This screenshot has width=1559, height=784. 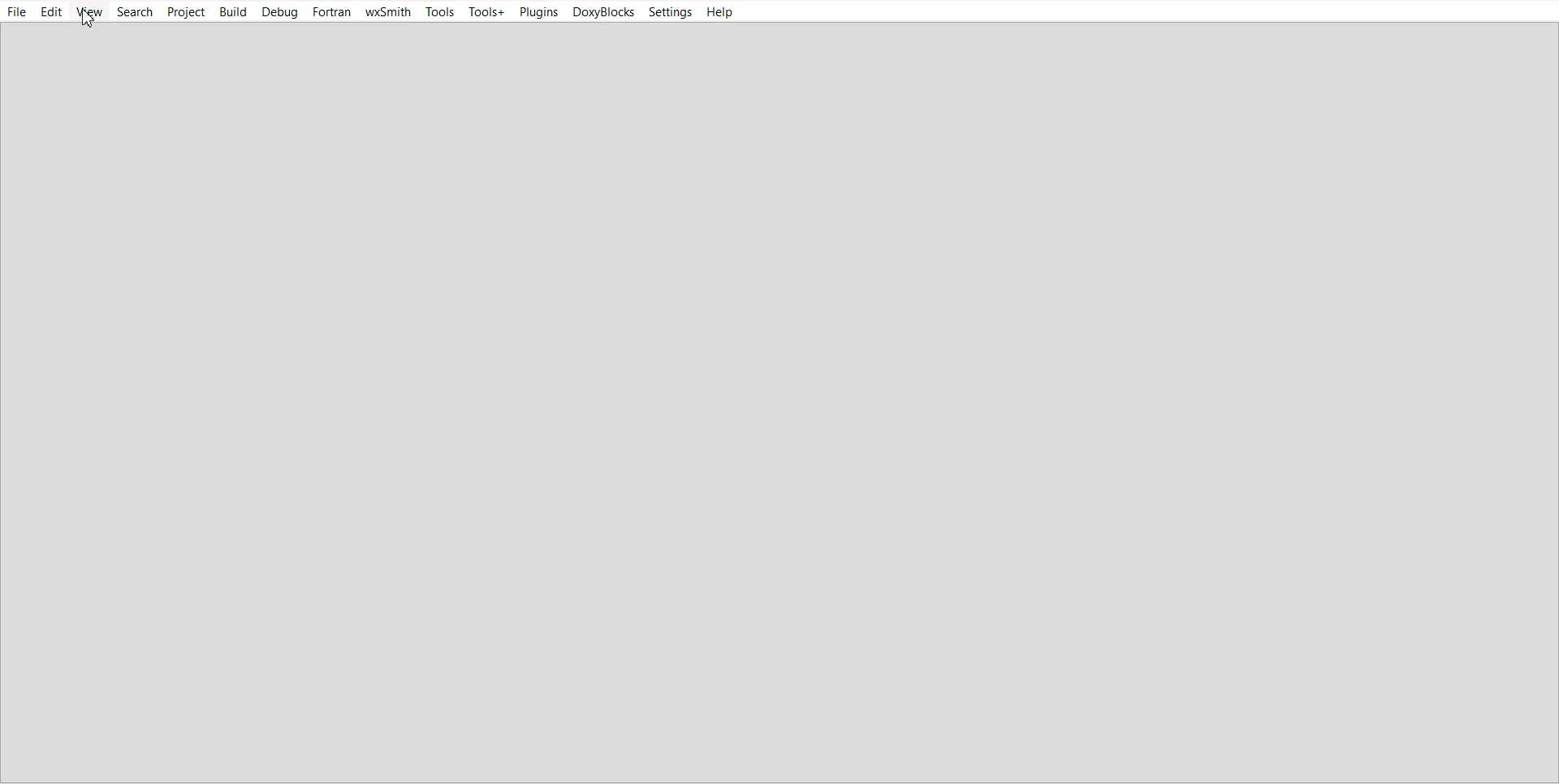 I want to click on Settings, so click(x=671, y=12).